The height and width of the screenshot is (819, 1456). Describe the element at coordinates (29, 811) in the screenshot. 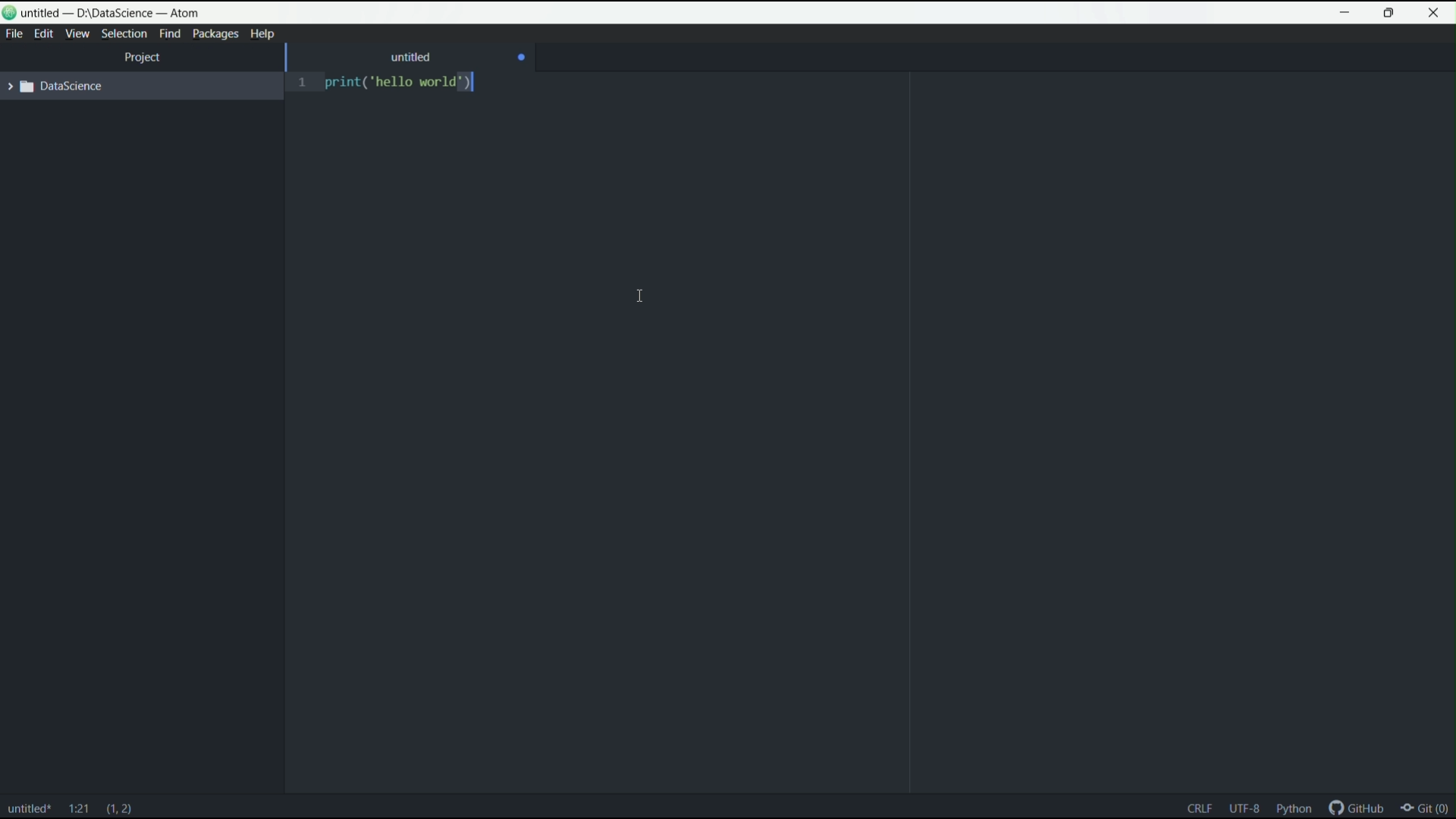

I see `file name` at that location.